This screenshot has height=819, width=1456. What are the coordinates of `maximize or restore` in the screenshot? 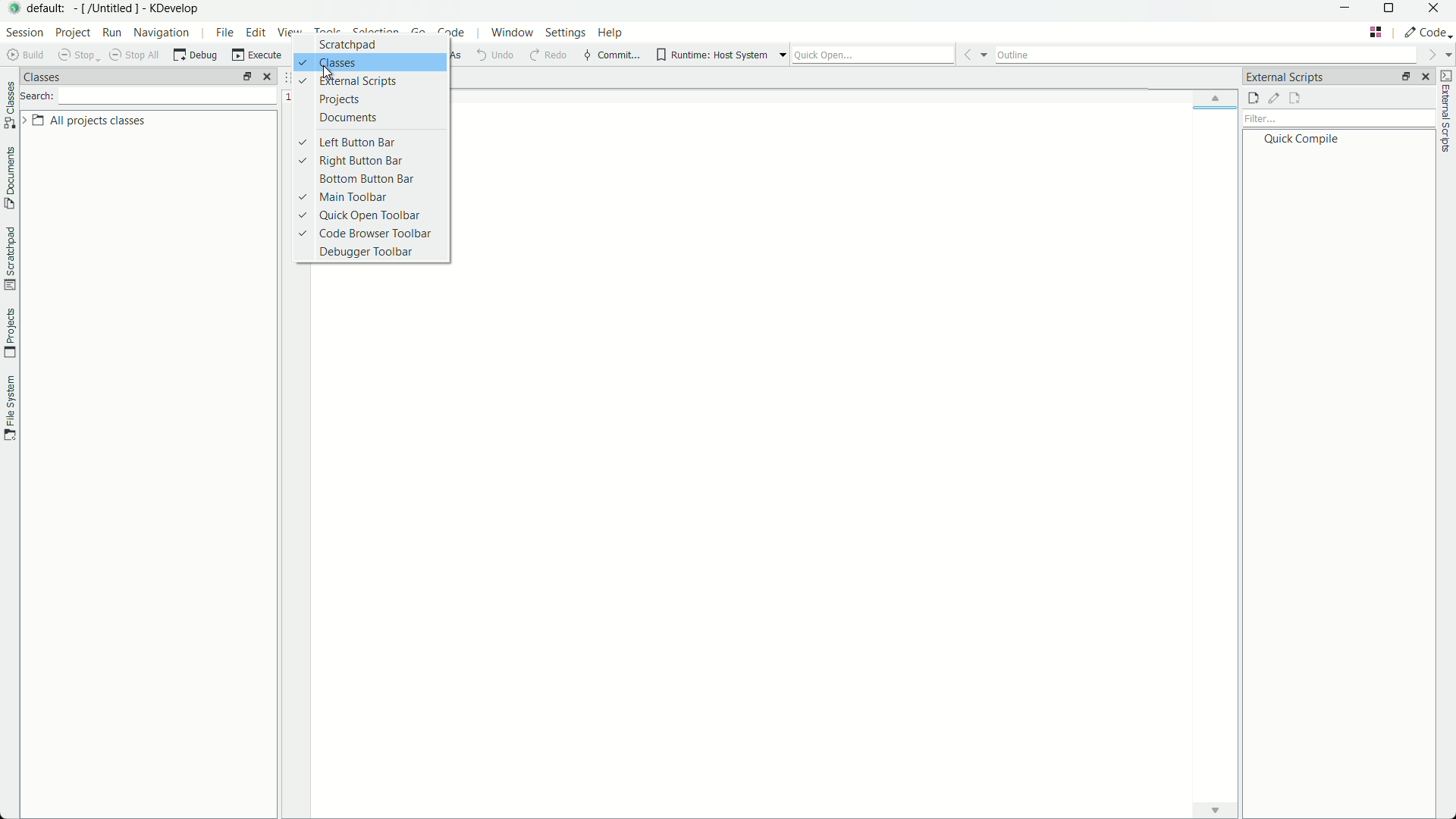 It's located at (1389, 11).